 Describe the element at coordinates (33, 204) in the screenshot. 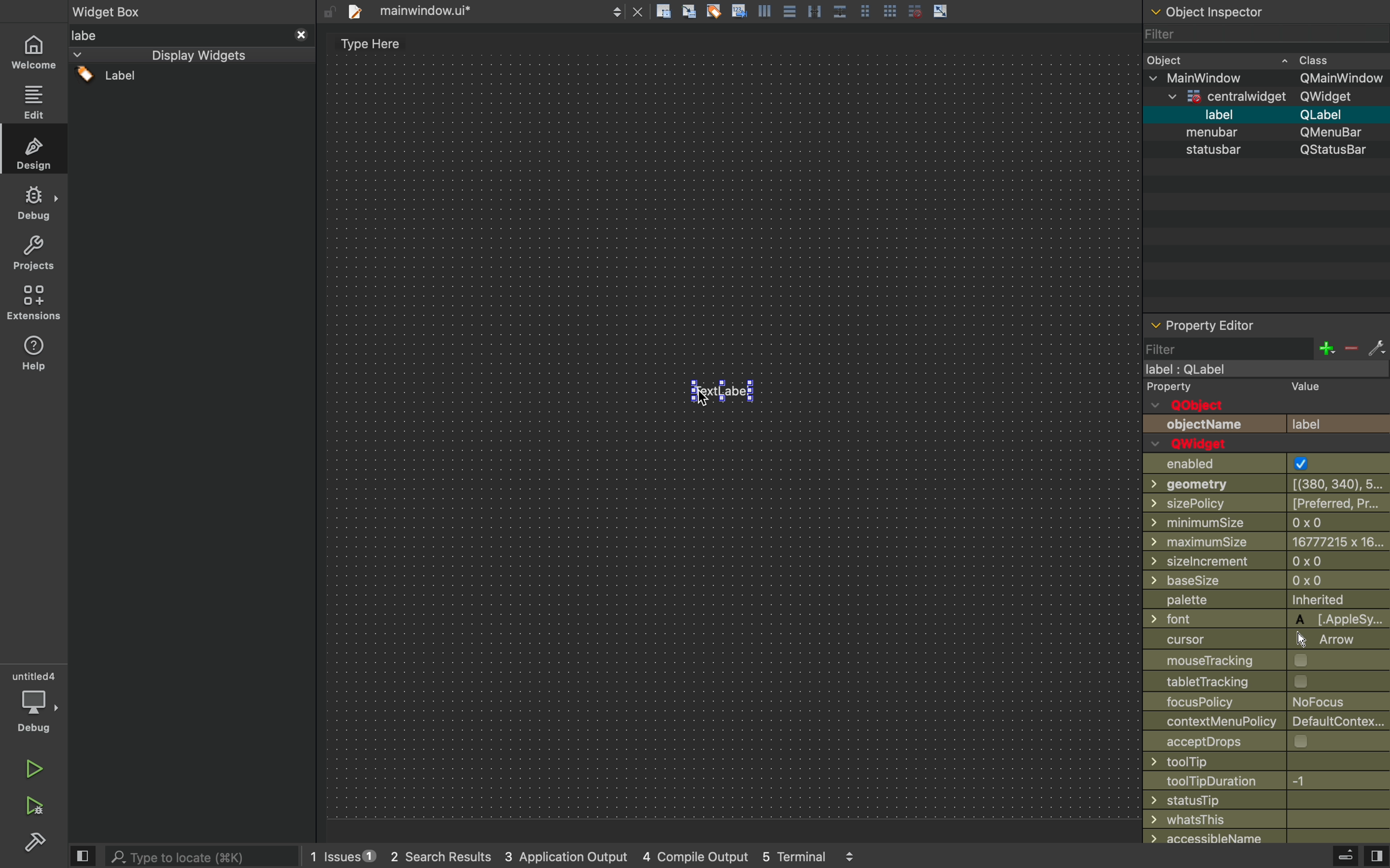

I see `debug` at that location.